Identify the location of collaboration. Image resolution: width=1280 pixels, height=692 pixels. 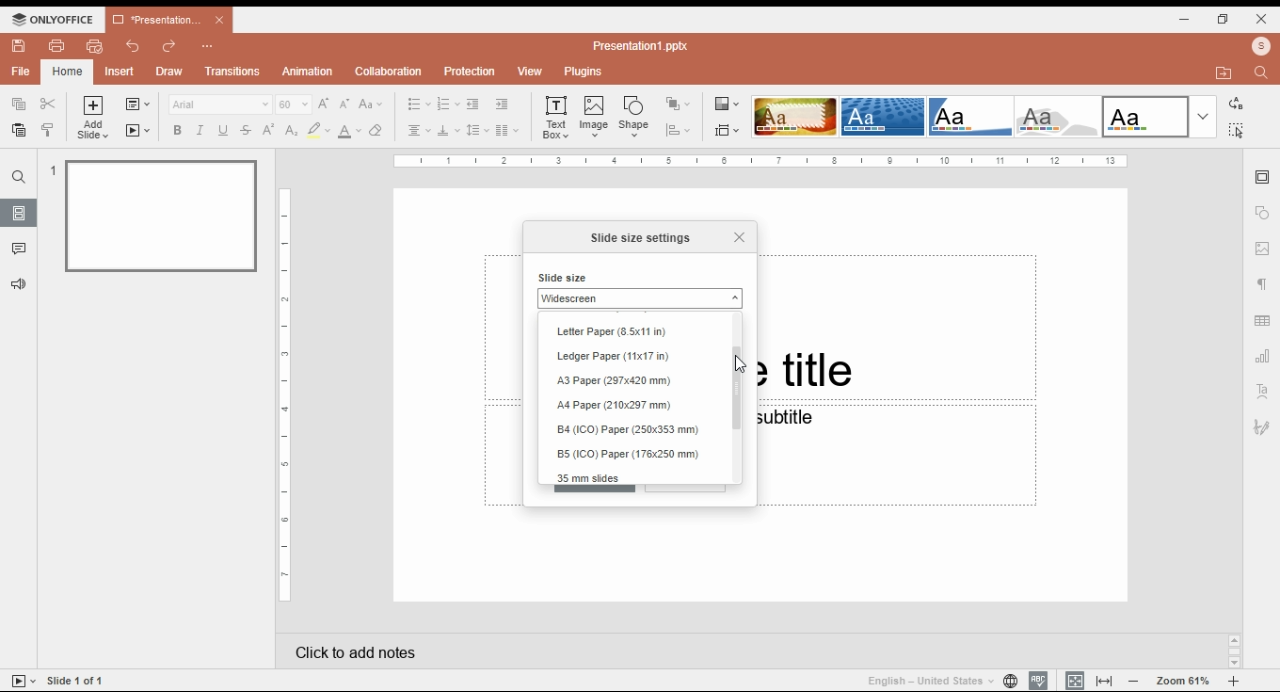
(388, 71).